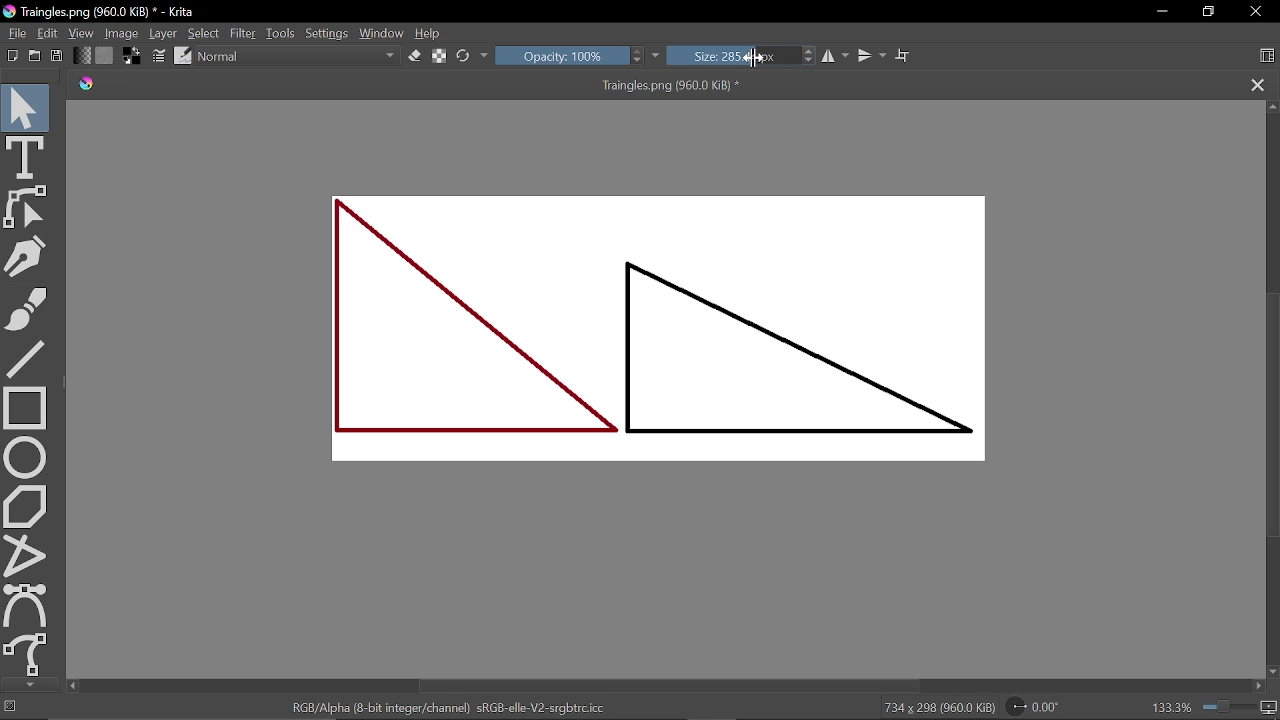  I want to click on Move left, so click(74, 685).